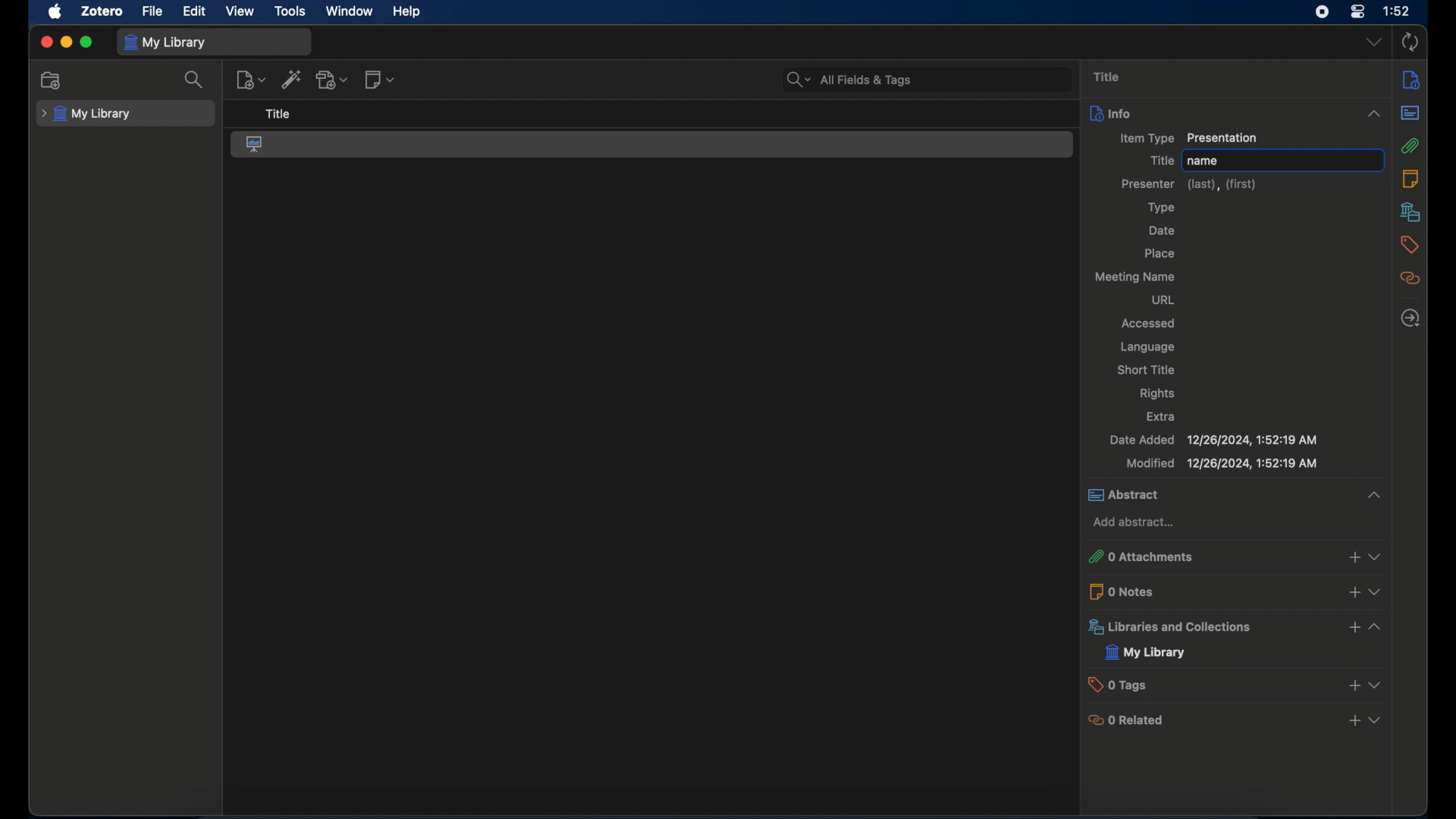 The image size is (1456, 819). Describe the element at coordinates (406, 11) in the screenshot. I see `help` at that location.